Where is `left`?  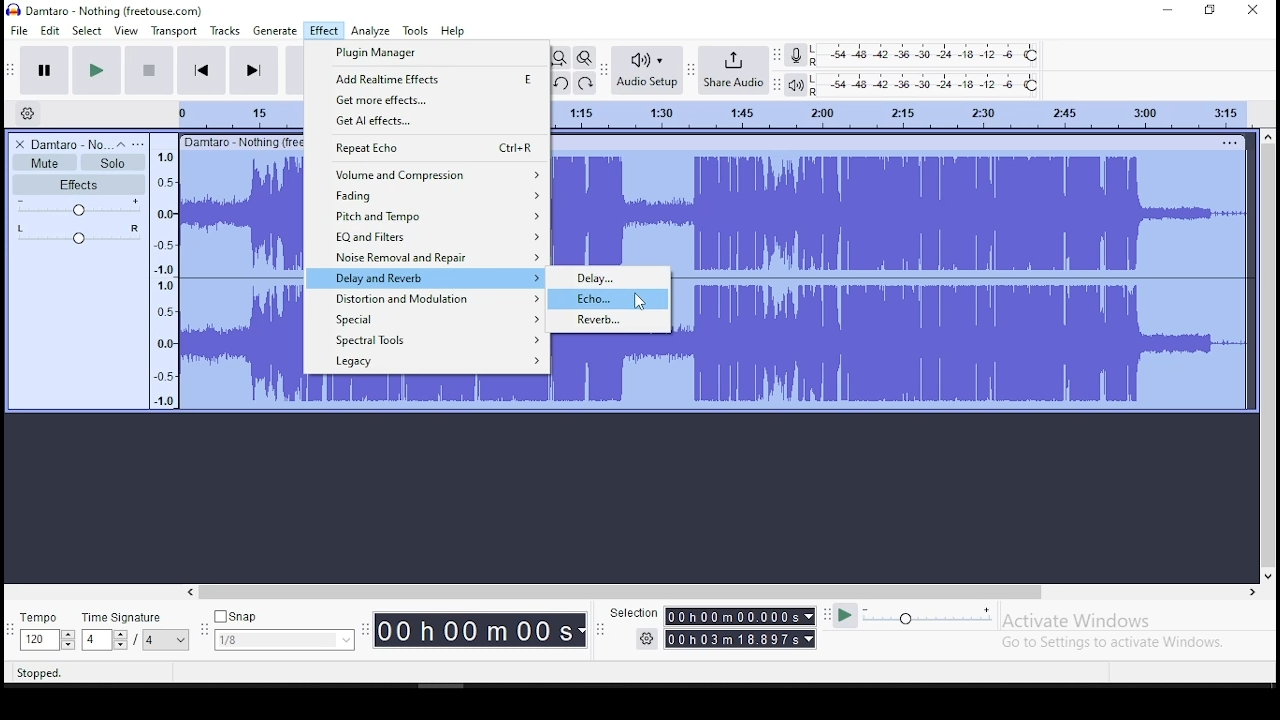 left is located at coordinates (193, 592).